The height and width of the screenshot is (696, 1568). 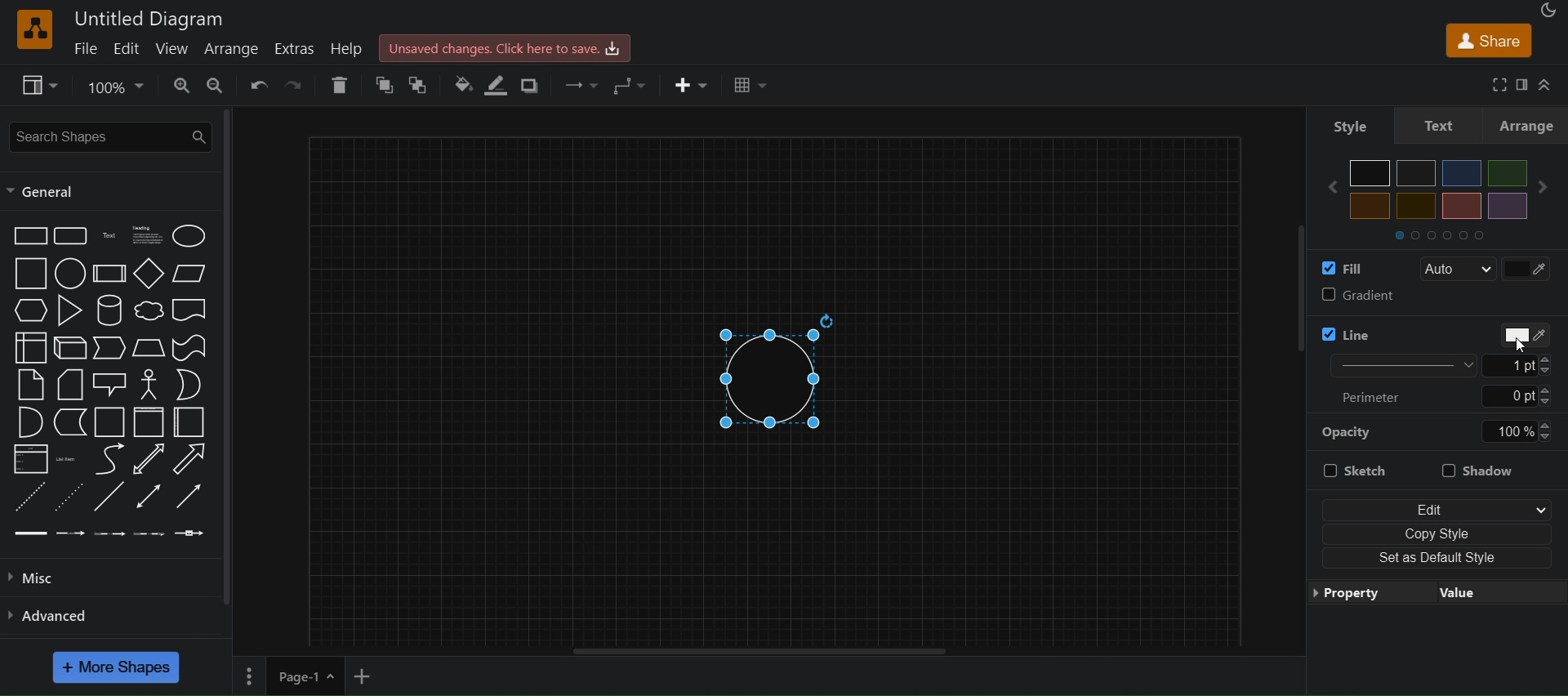 What do you see at coordinates (192, 346) in the screenshot?
I see `tape` at bounding box center [192, 346].